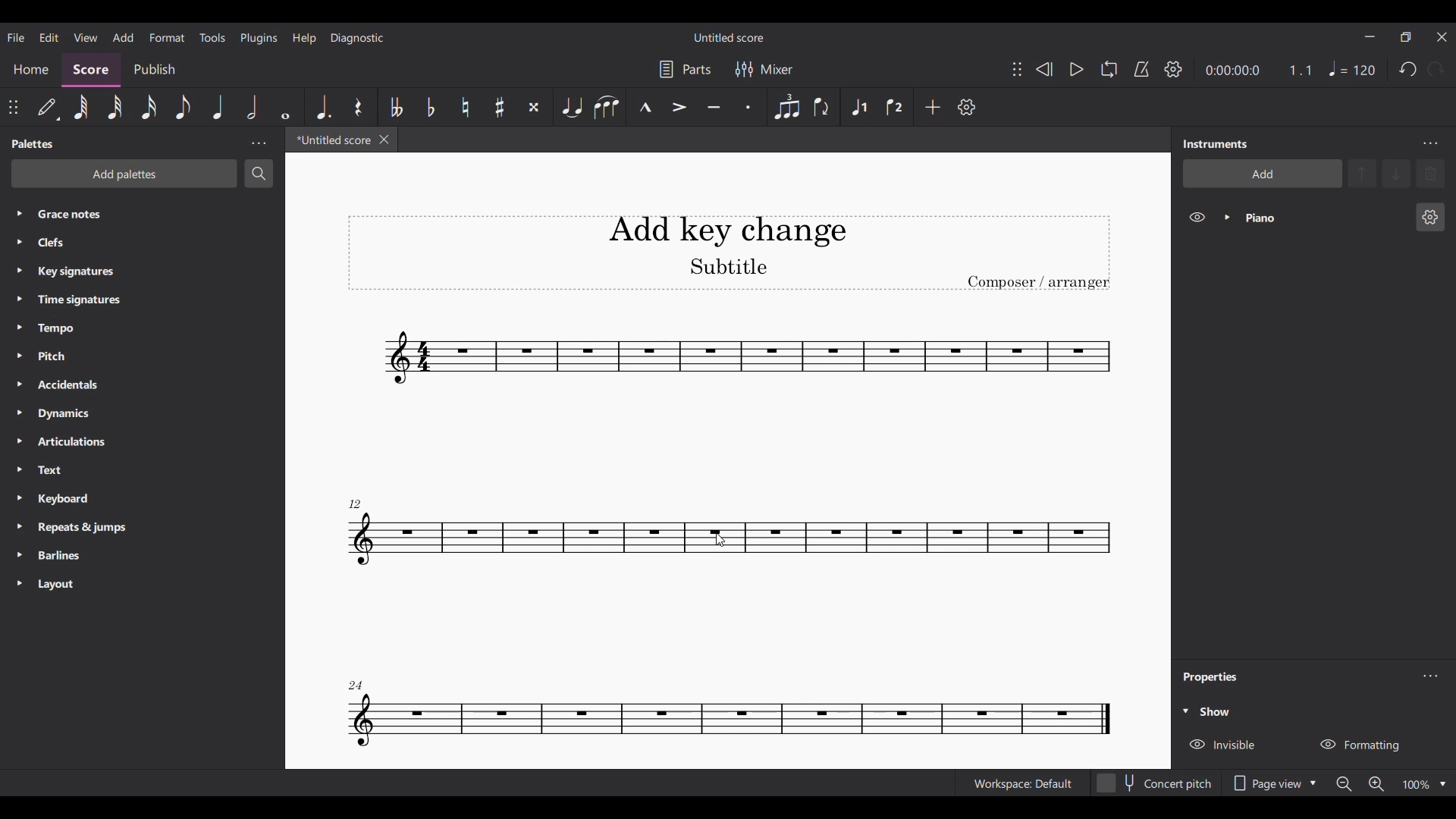 This screenshot has height=819, width=1456. What do you see at coordinates (124, 174) in the screenshot?
I see `Add palettes` at bounding box center [124, 174].